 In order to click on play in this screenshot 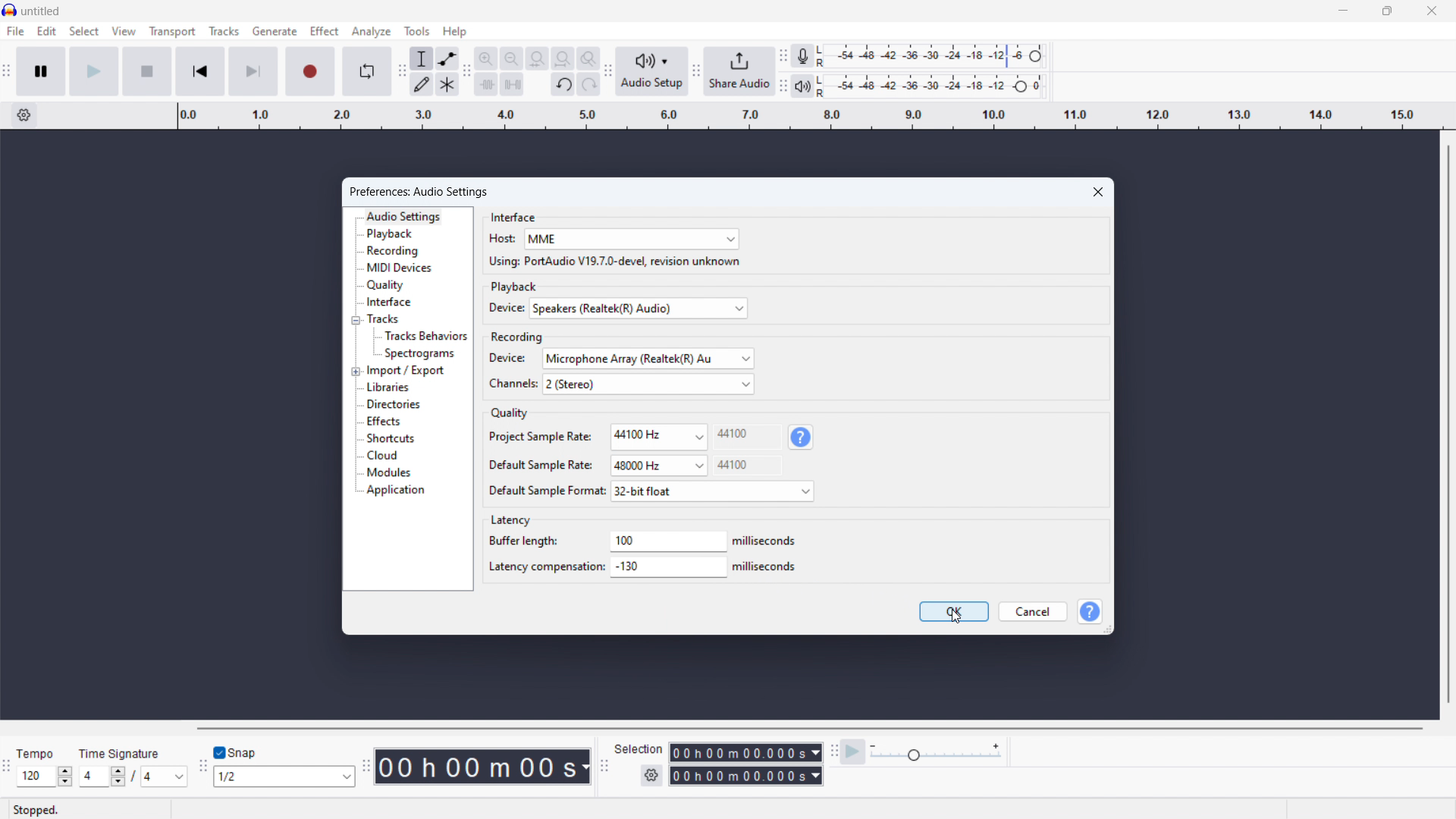, I will do `click(94, 71)`.